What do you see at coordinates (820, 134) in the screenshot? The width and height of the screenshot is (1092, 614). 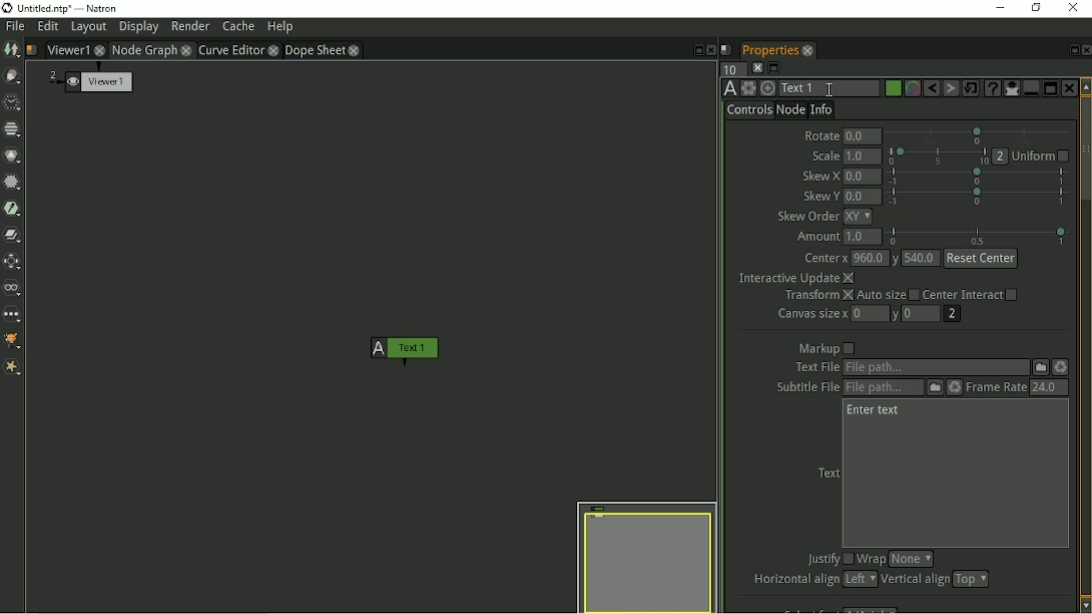 I see `Rotate` at bounding box center [820, 134].